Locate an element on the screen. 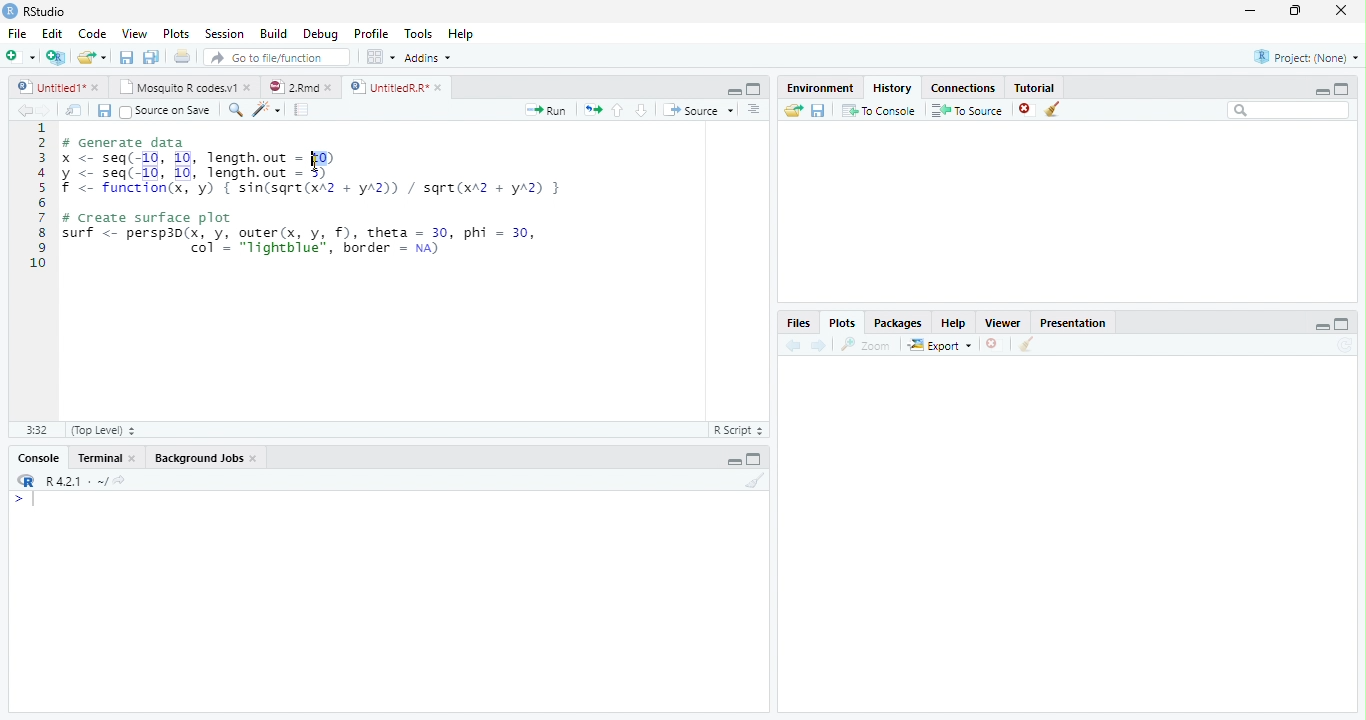  close is located at coordinates (438, 87).